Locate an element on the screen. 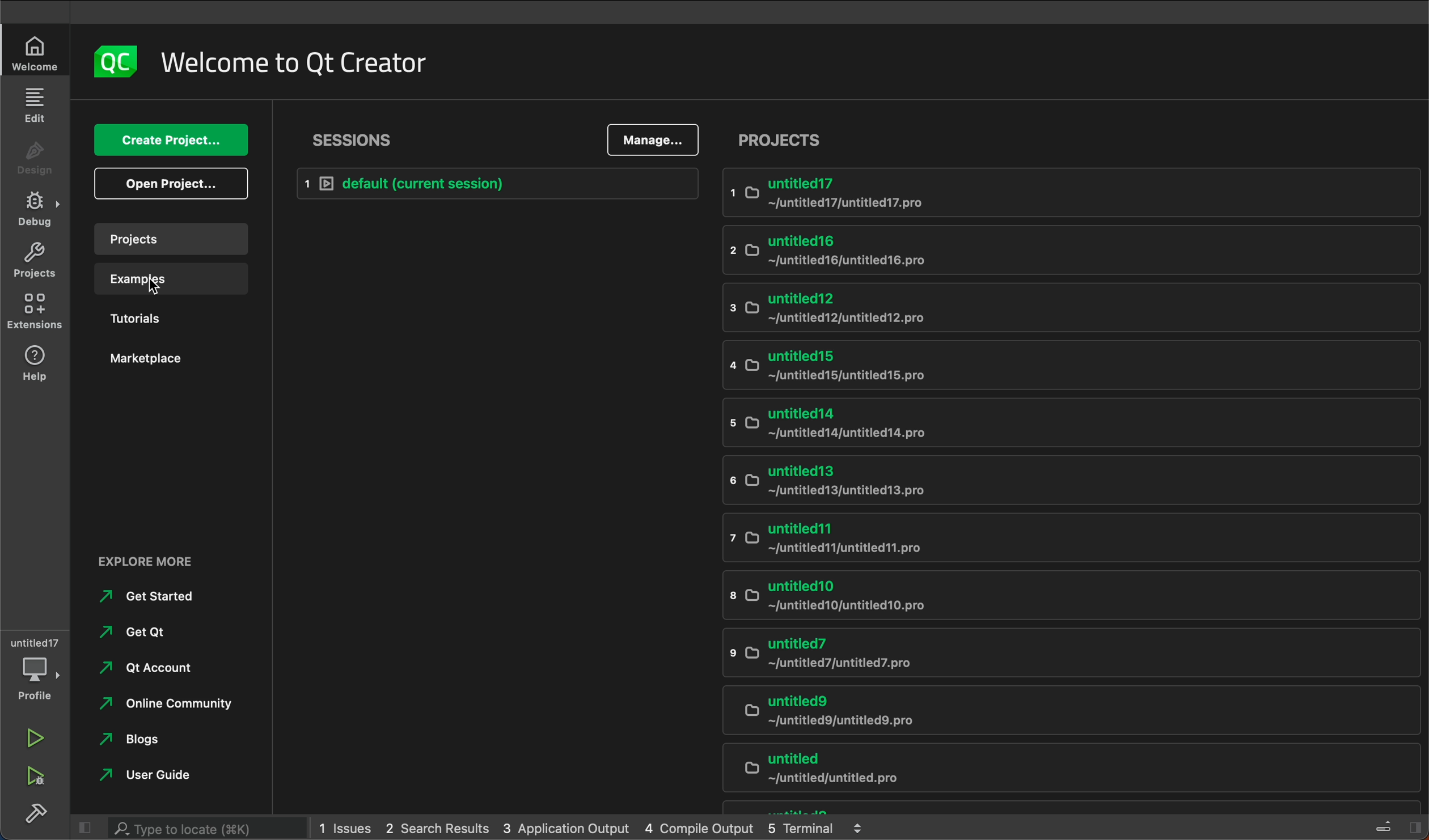 Image resolution: width=1429 pixels, height=840 pixels. close sidebar is located at coordinates (1393, 825).